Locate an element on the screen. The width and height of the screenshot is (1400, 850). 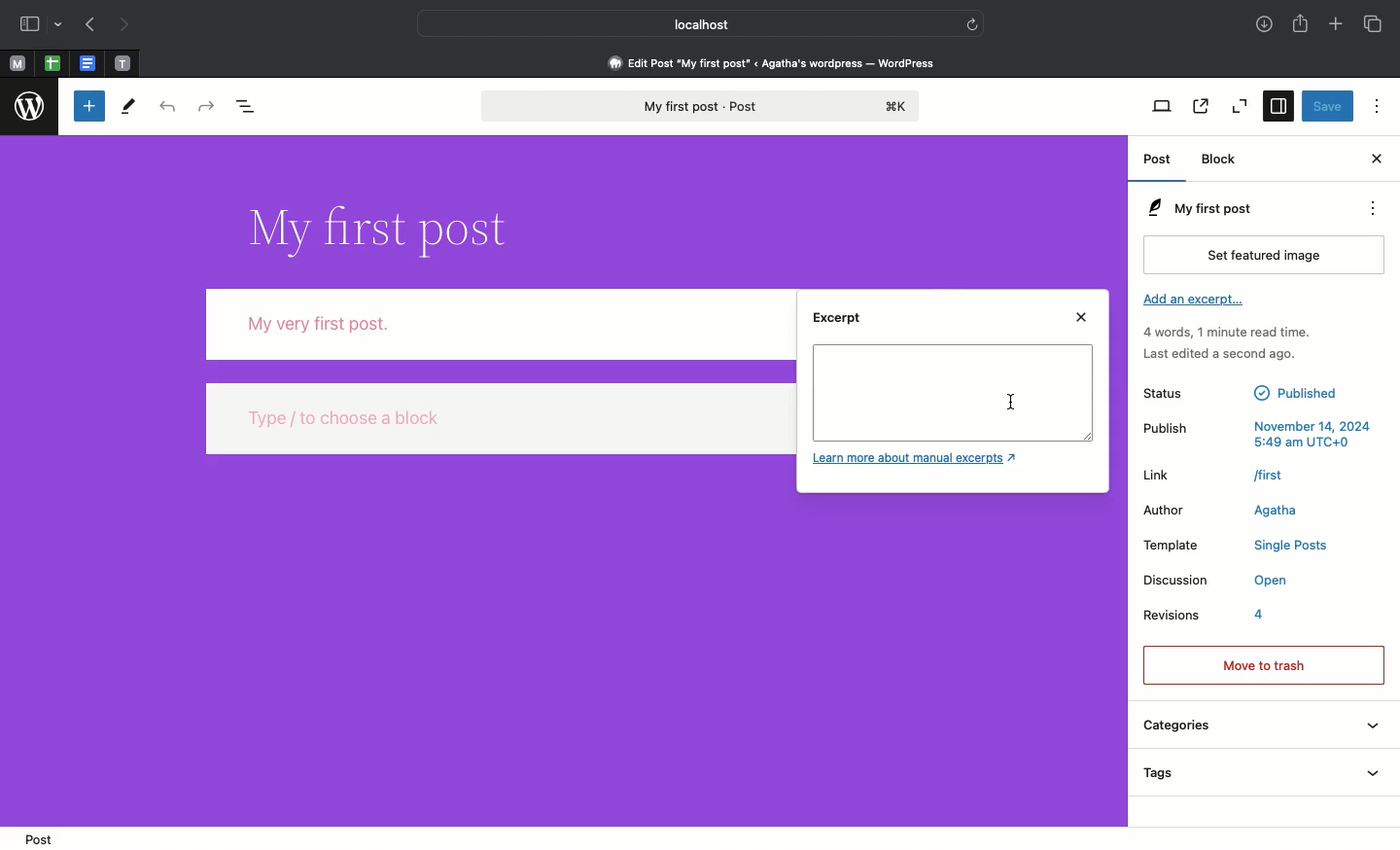
Type / to choose a block is located at coordinates (498, 416).